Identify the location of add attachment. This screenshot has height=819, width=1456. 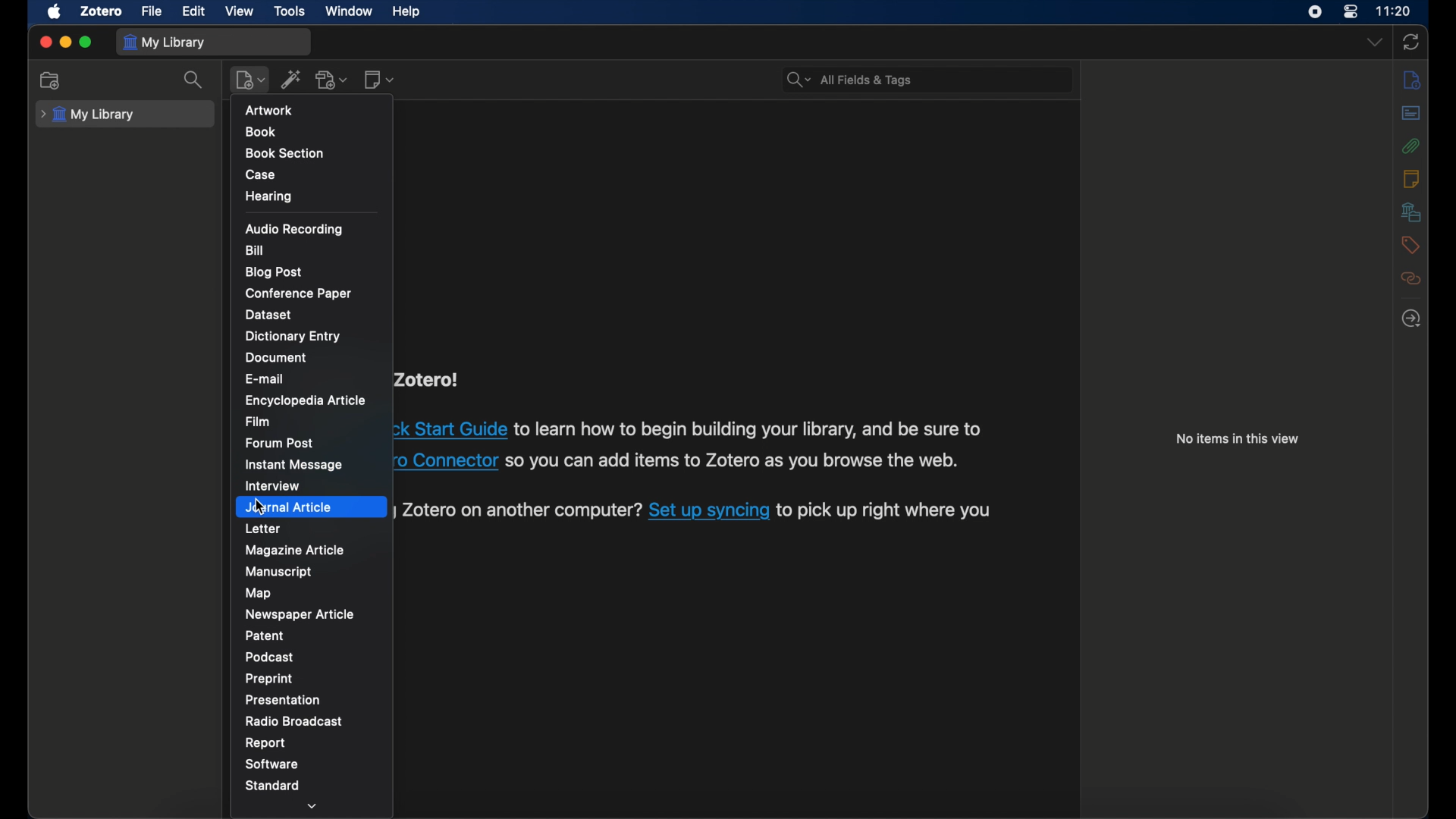
(332, 80).